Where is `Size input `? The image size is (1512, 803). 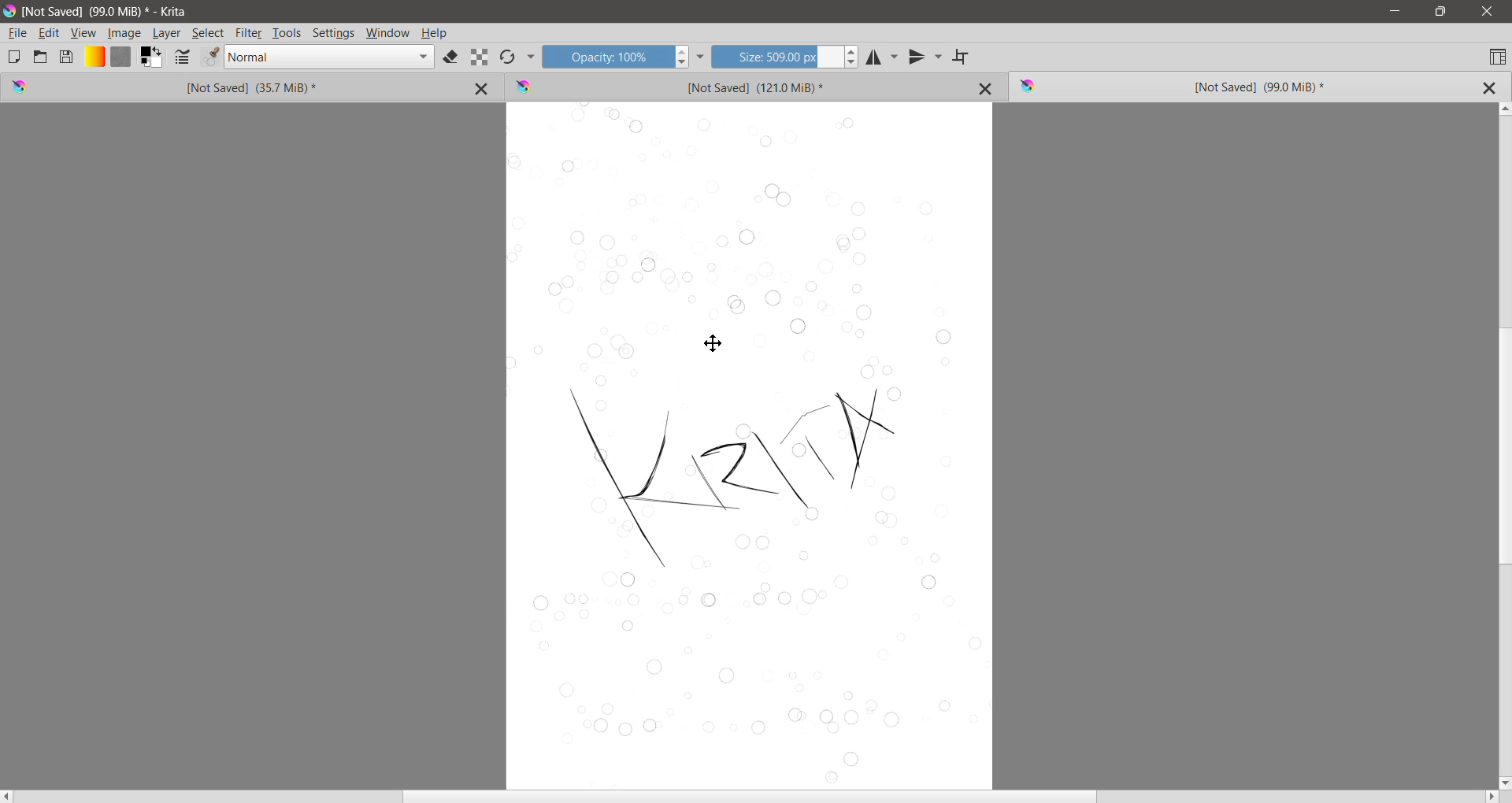
Size input  is located at coordinates (776, 56).